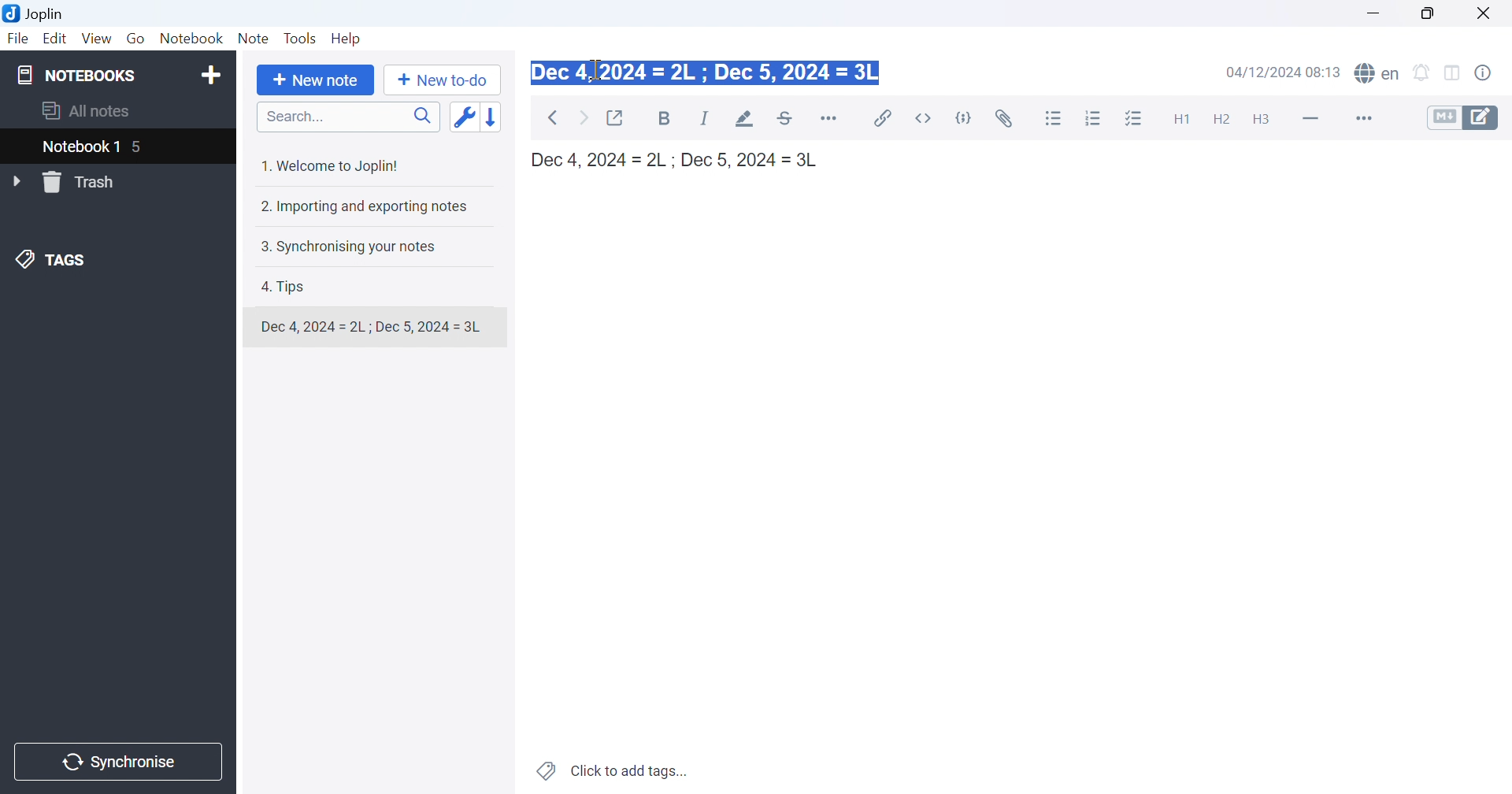 The height and width of the screenshot is (794, 1512). I want to click on Close, so click(1489, 13).